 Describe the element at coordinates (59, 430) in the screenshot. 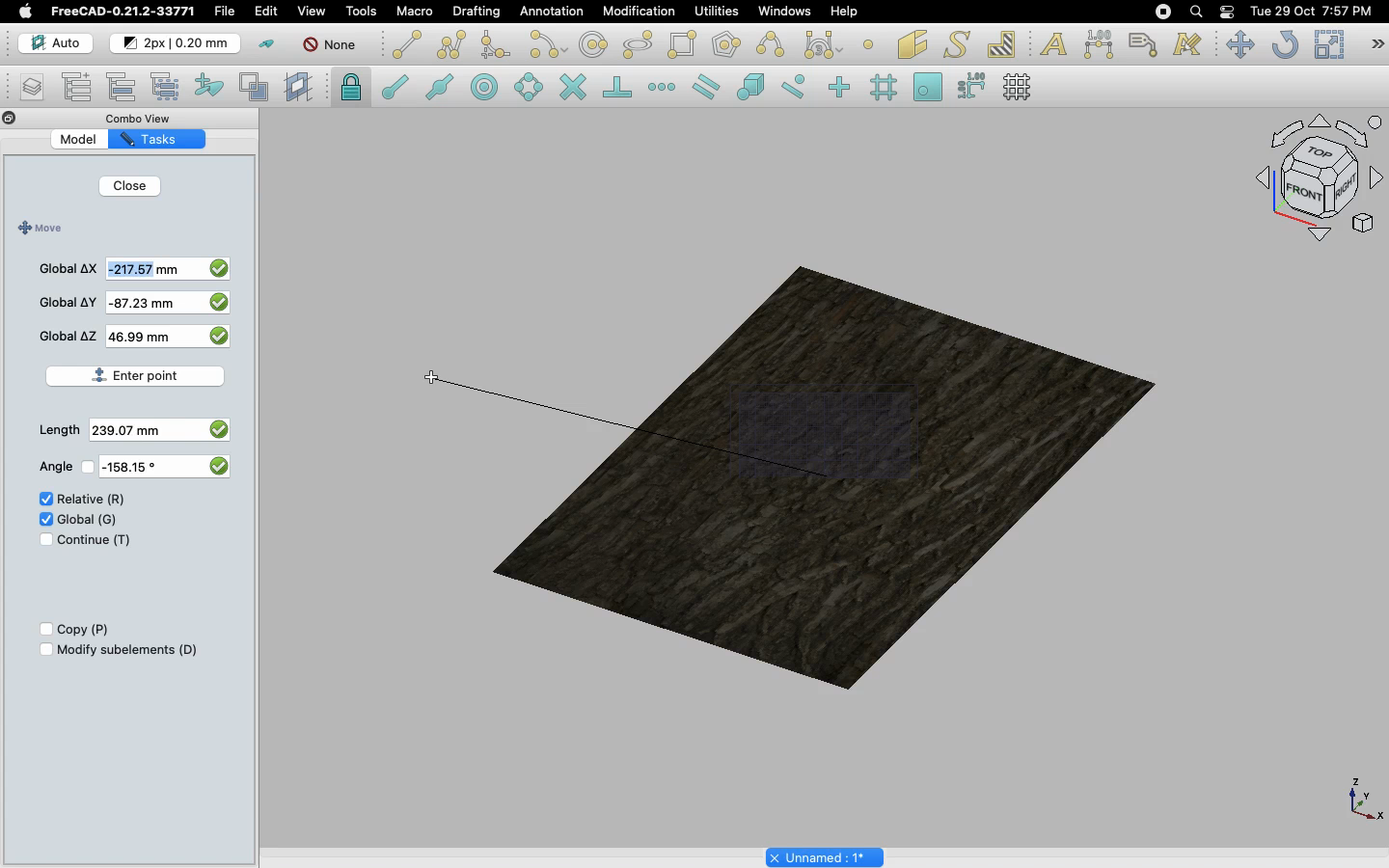

I see `Length` at that location.